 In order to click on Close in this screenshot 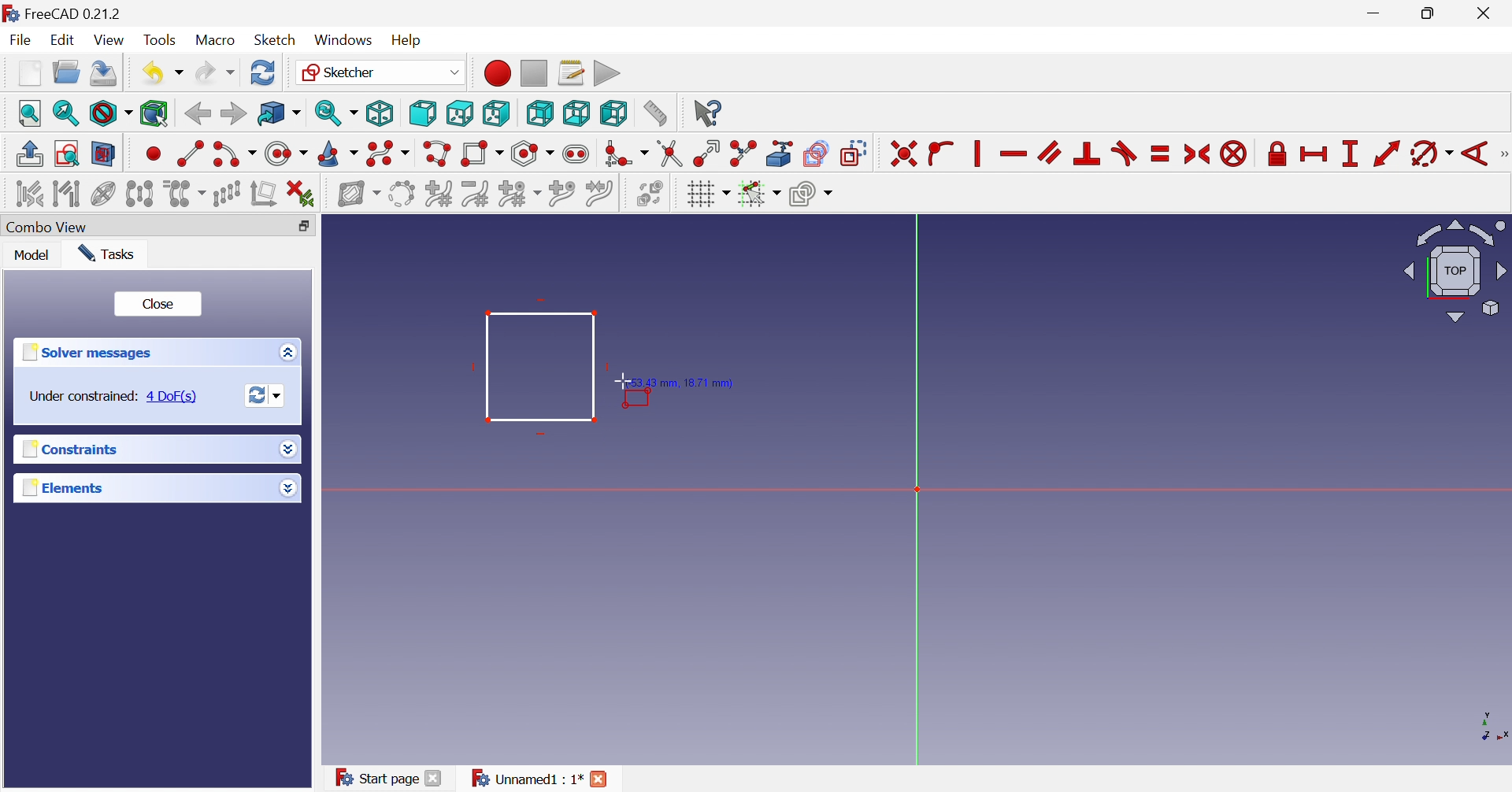, I will do `click(600, 779)`.